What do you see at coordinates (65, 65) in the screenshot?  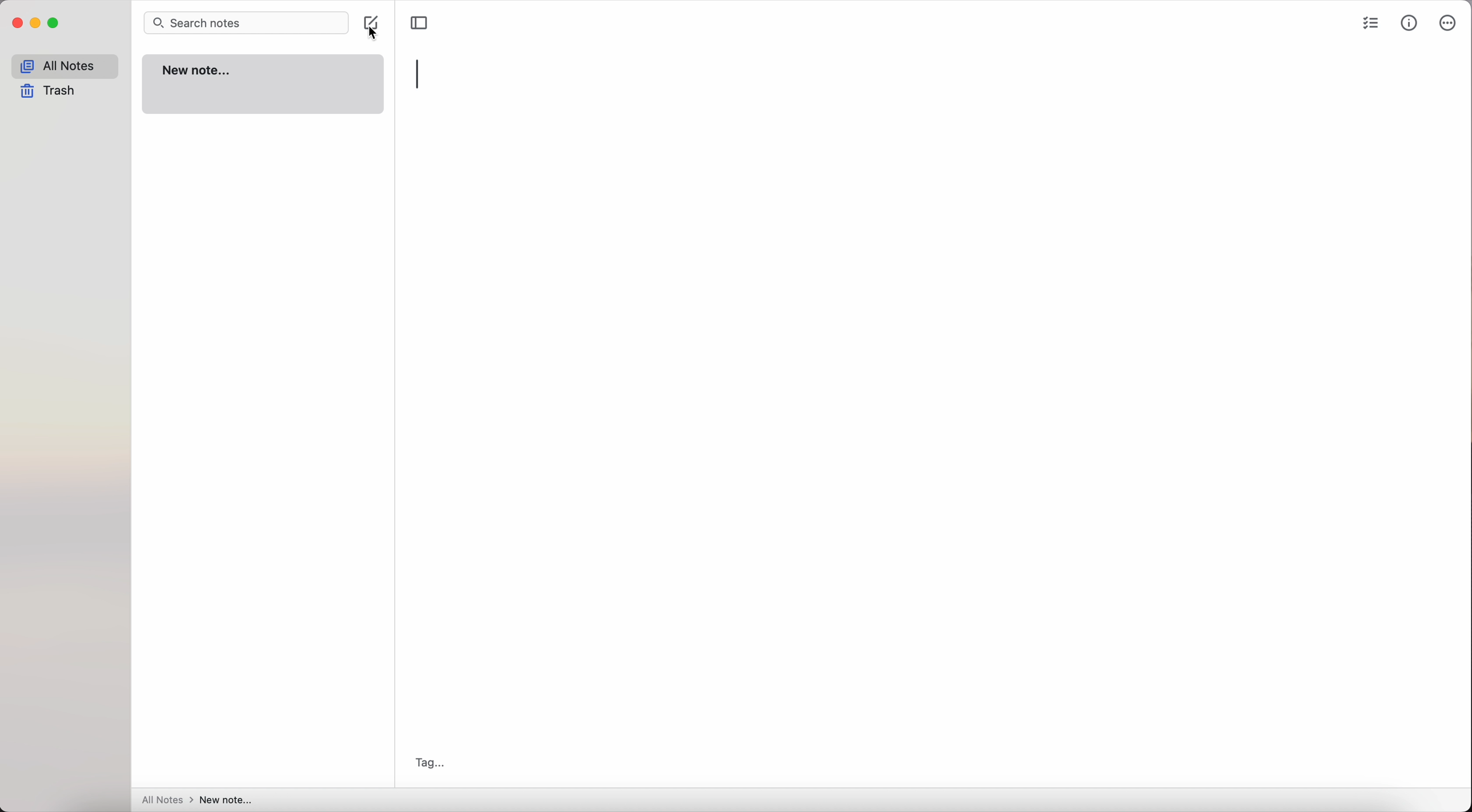 I see `all notes` at bounding box center [65, 65].